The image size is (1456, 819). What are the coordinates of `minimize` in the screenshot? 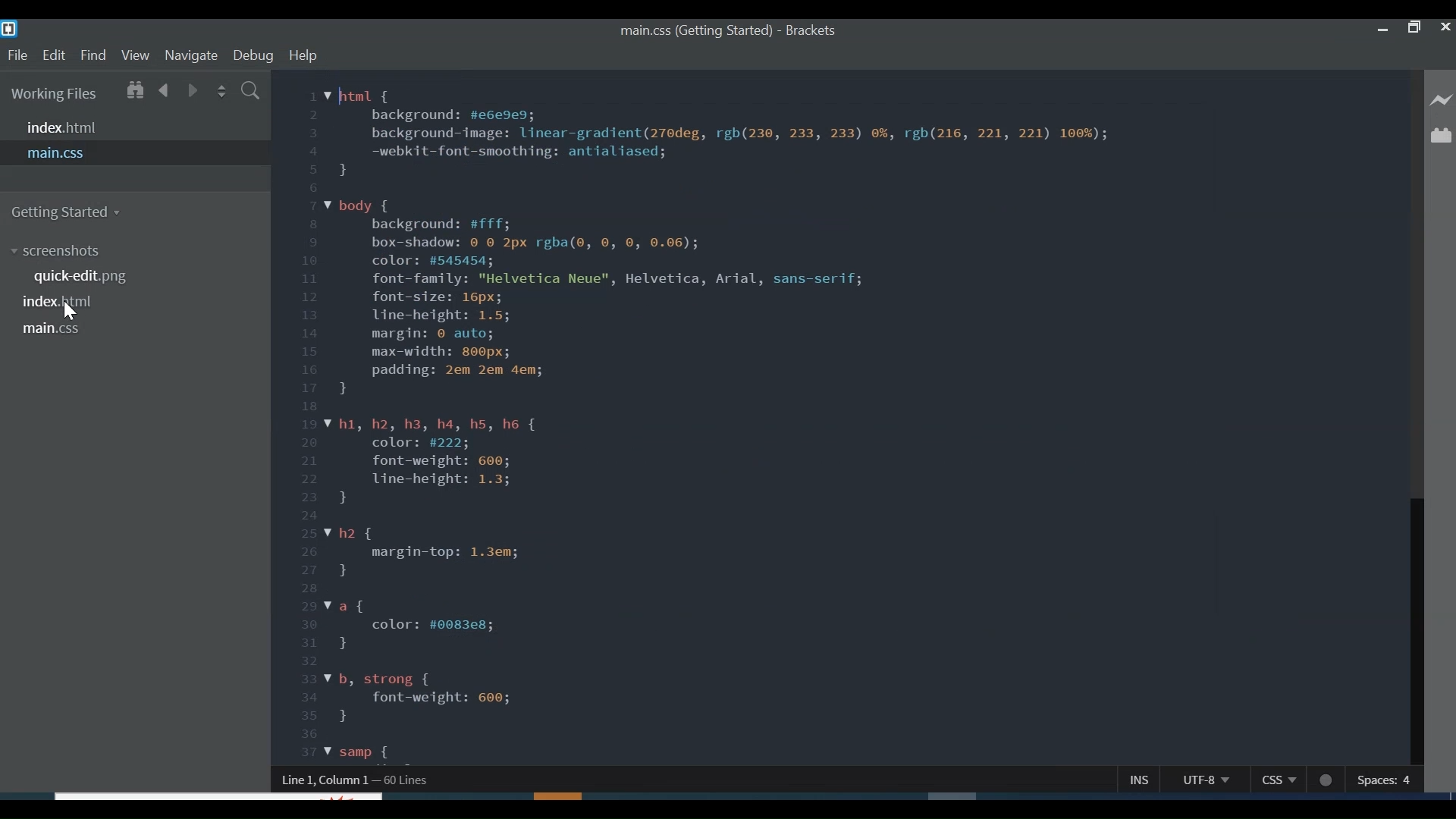 It's located at (1384, 29).